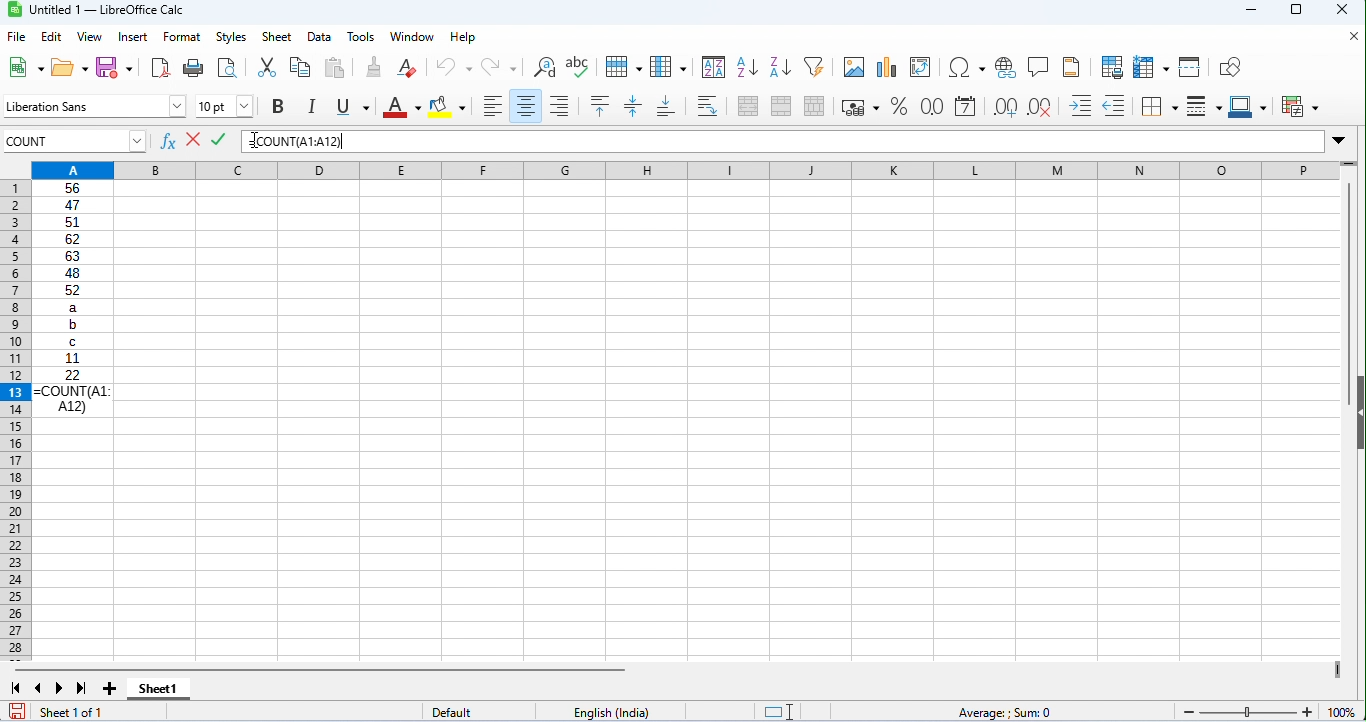  What do you see at coordinates (73, 290) in the screenshot?
I see `52` at bounding box center [73, 290].